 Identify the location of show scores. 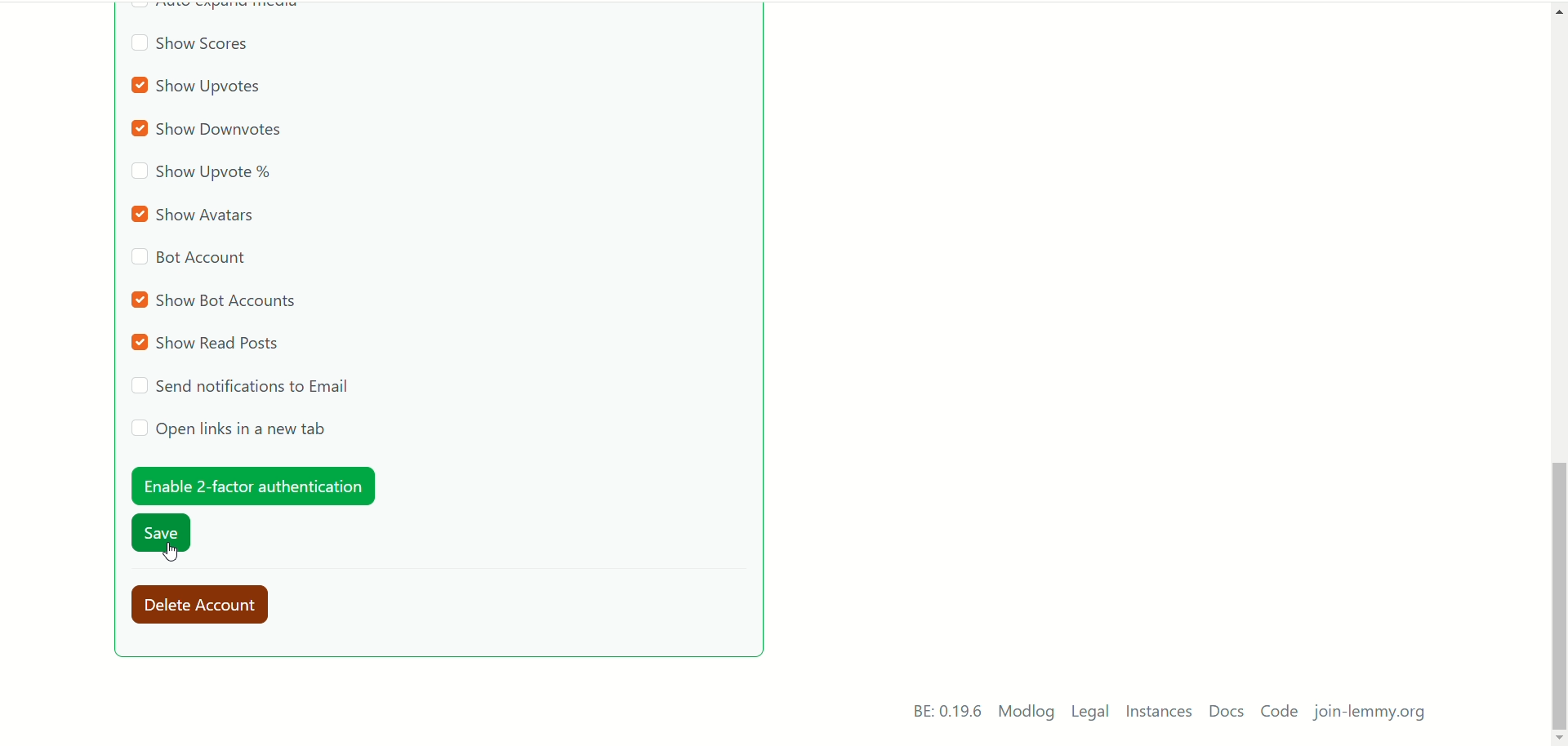
(189, 47).